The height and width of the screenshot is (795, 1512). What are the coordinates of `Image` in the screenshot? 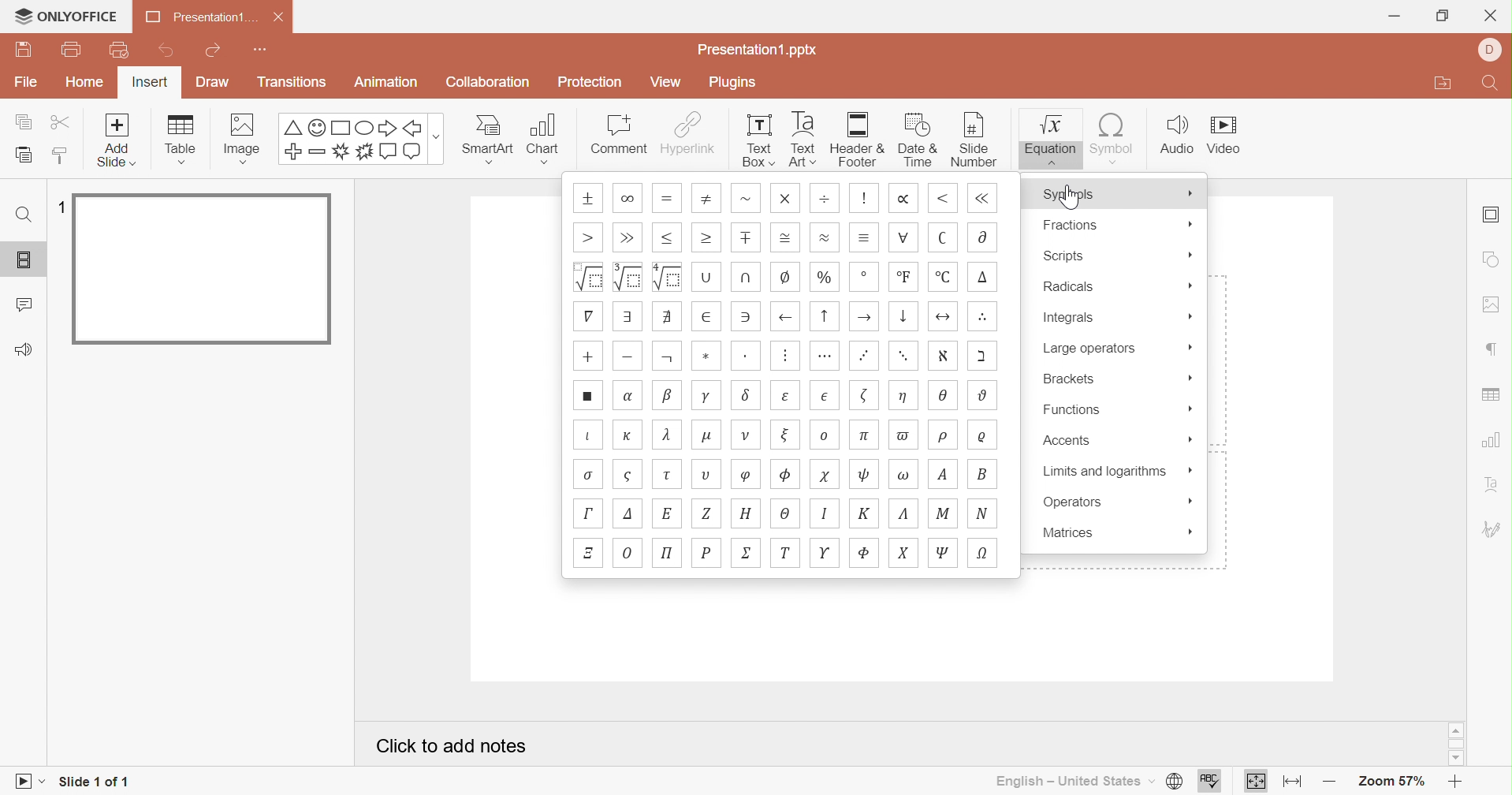 It's located at (245, 135).